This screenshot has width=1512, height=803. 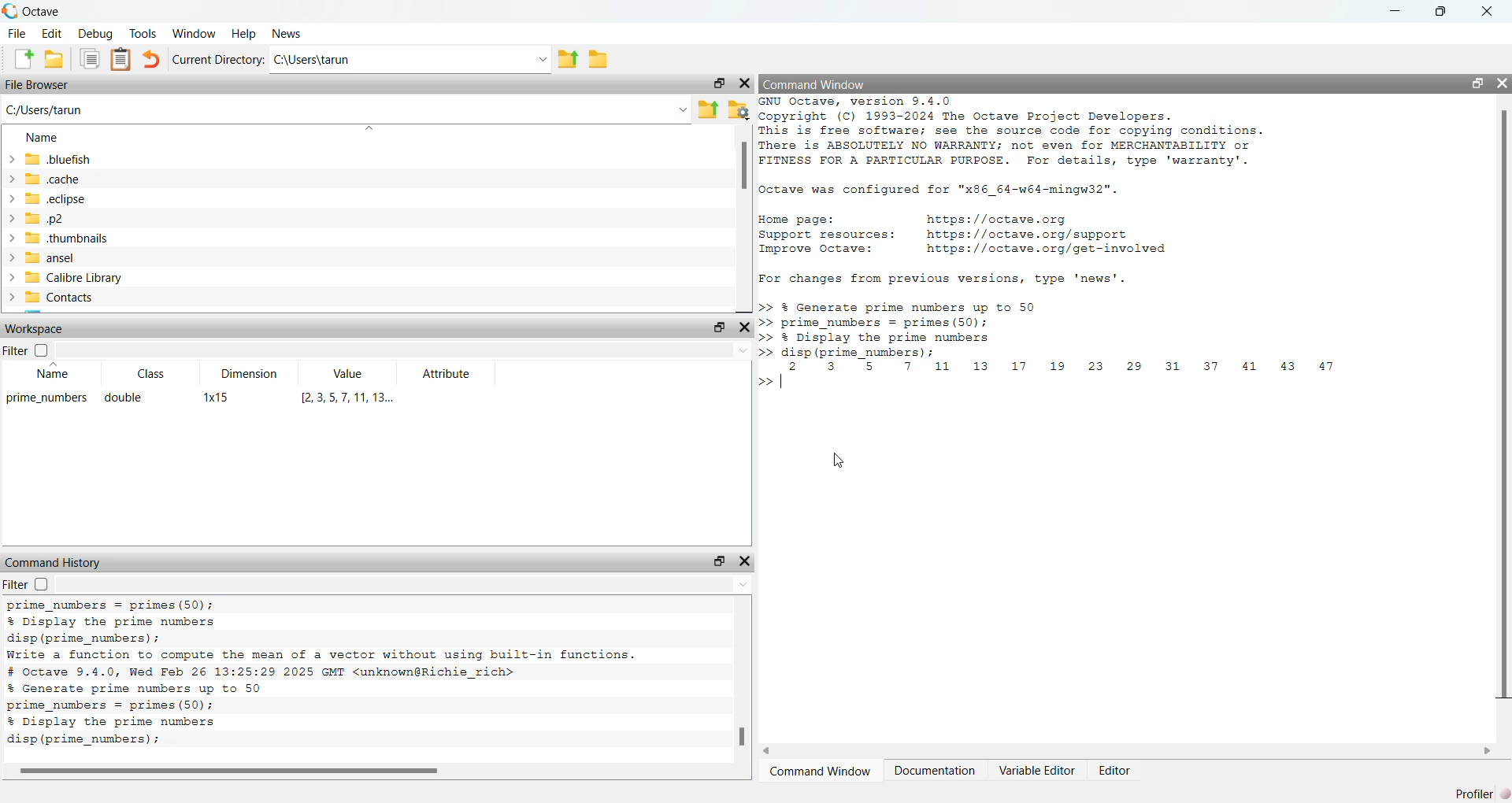 What do you see at coordinates (569, 60) in the screenshot?
I see `share folder` at bounding box center [569, 60].